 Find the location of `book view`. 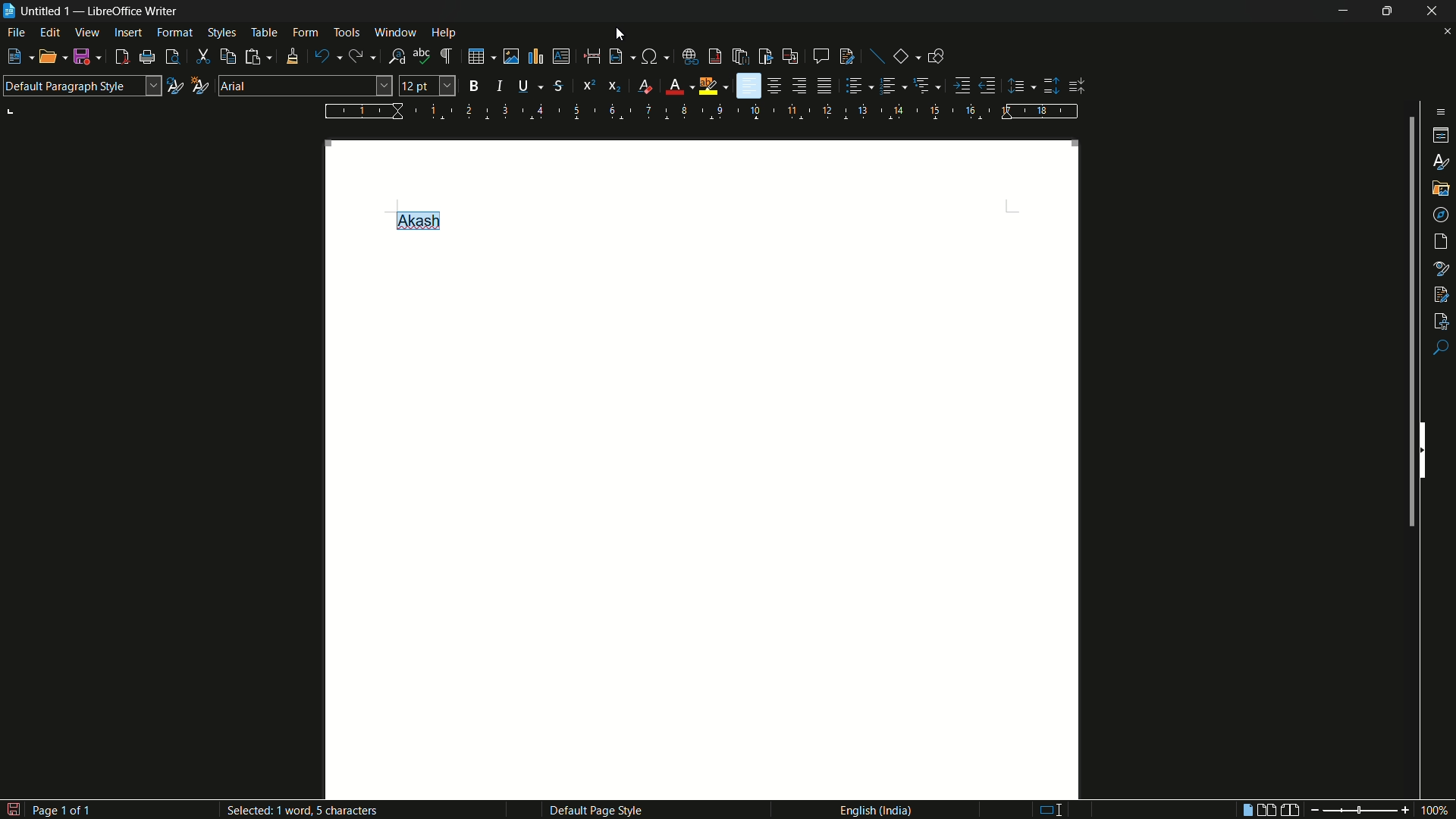

book view is located at coordinates (1291, 811).